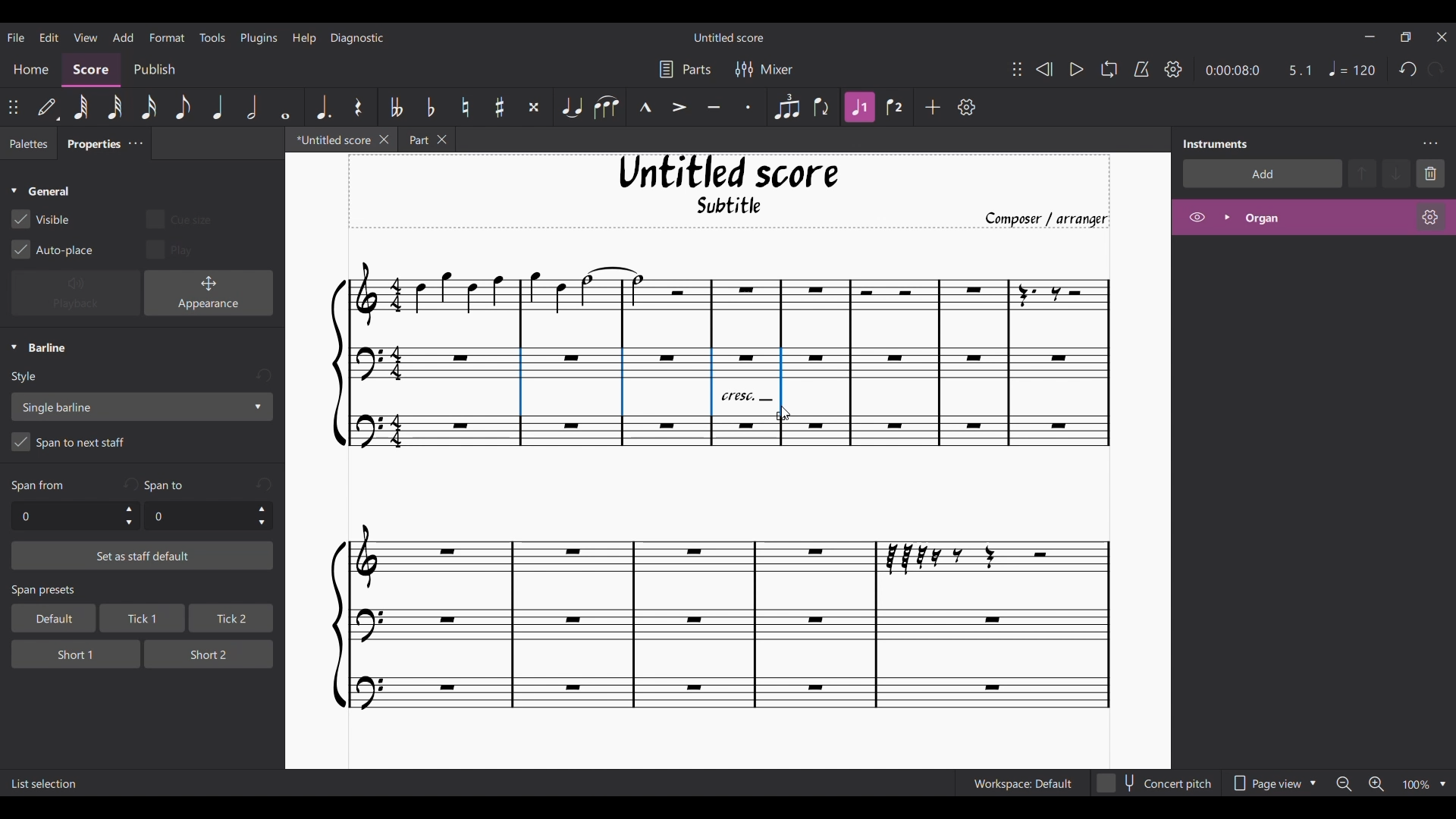 This screenshot has height=819, width=1456. What do you see at coordinates (1344, 784) in the screenshot?
I see `Zoom out` at bounding box center [1344, 784].